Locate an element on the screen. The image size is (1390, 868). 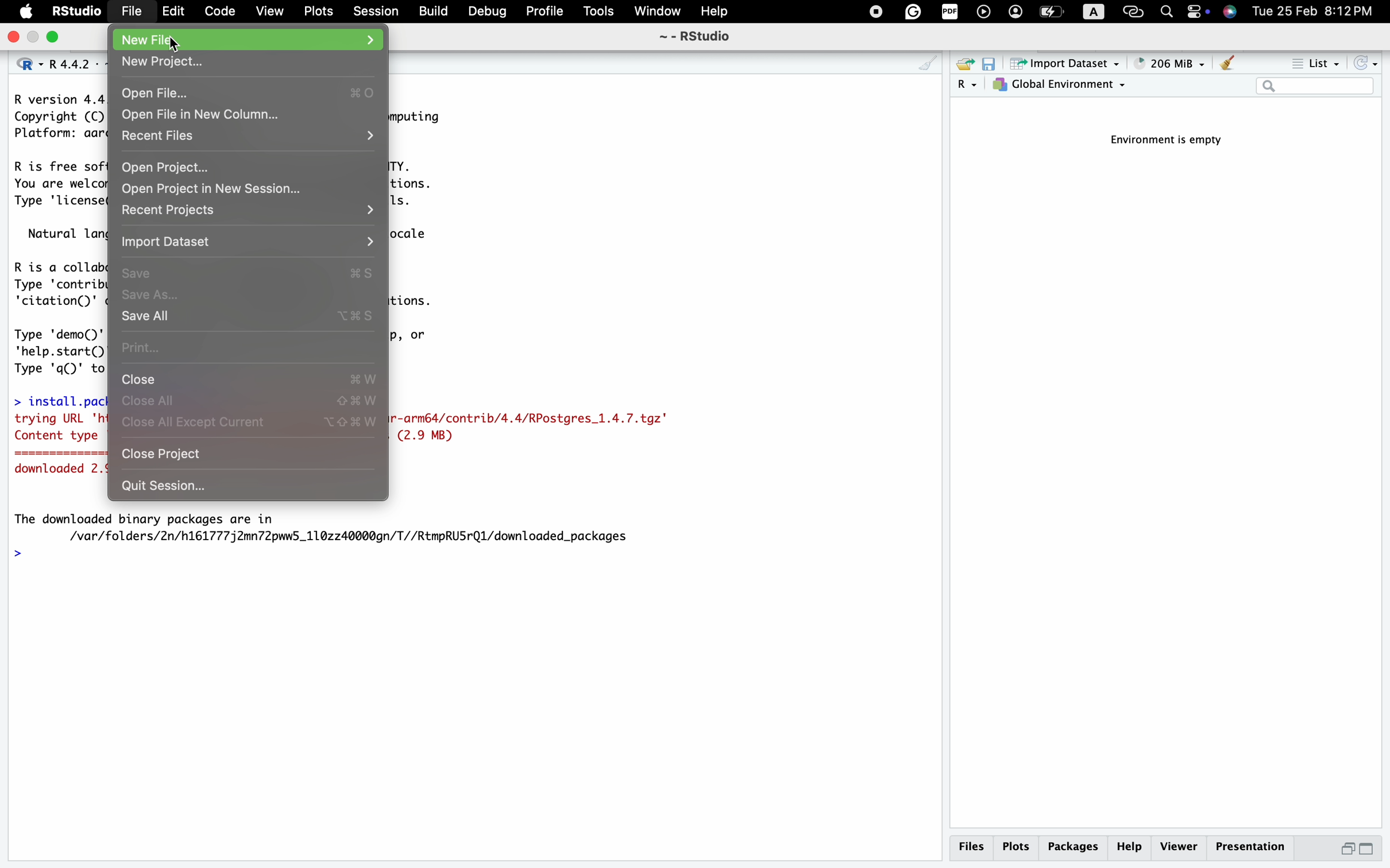
close all except current is located at coordinates (254, 426).